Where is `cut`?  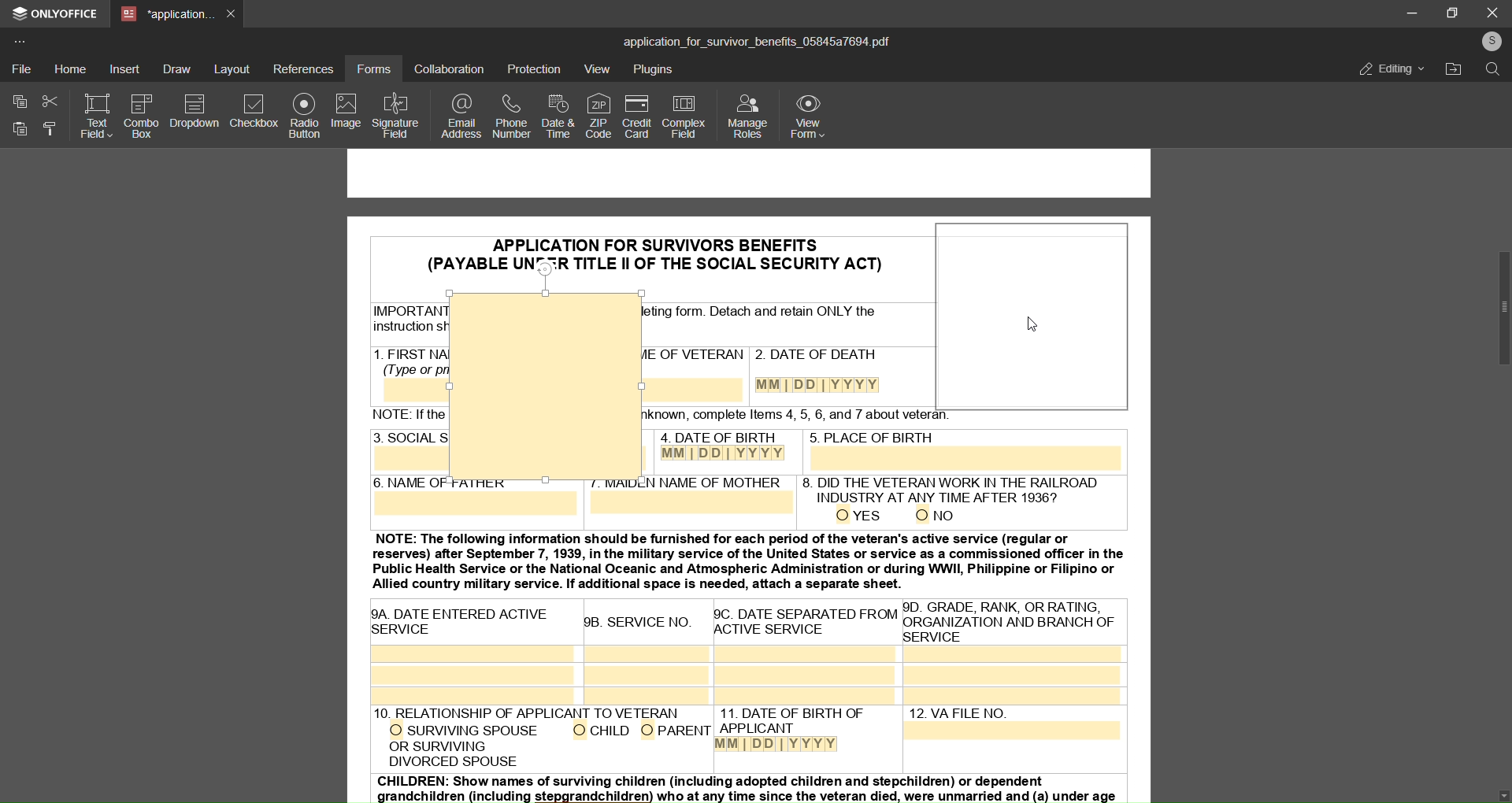
cut is located at coordinates (47, 101).